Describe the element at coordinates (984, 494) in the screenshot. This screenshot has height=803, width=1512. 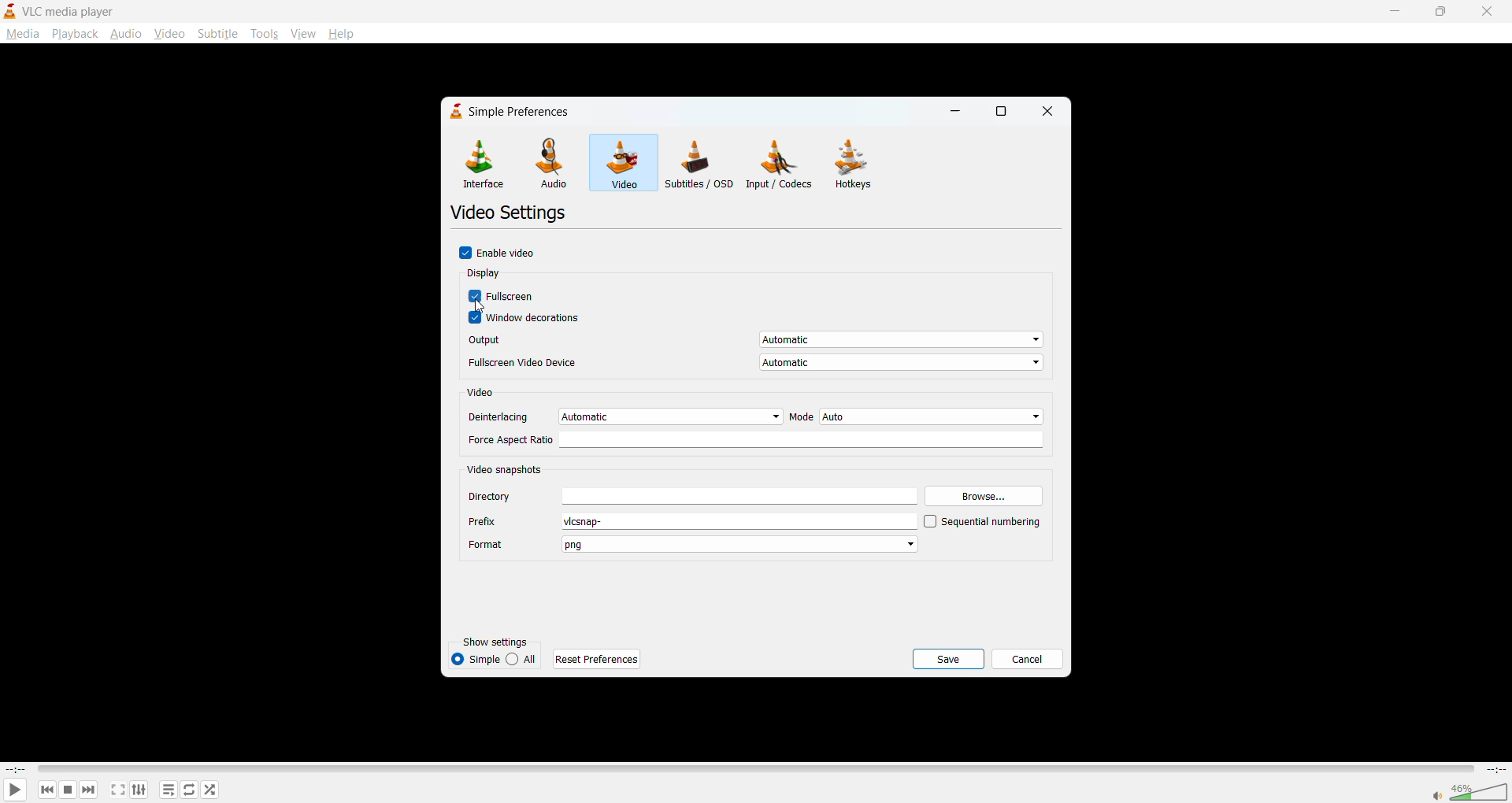
I see `browse` at that location.